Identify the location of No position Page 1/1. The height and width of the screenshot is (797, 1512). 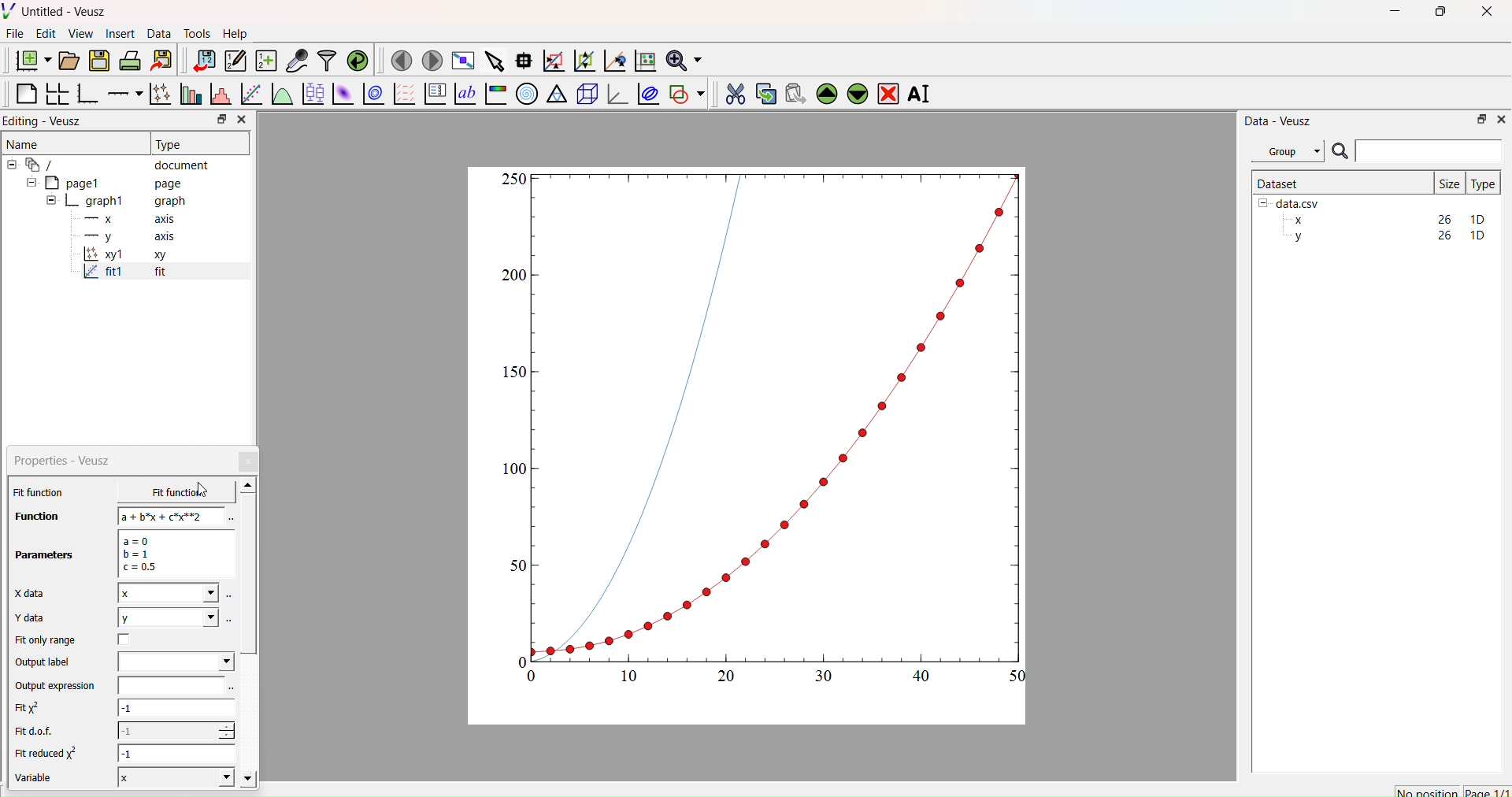
(1451, 791).